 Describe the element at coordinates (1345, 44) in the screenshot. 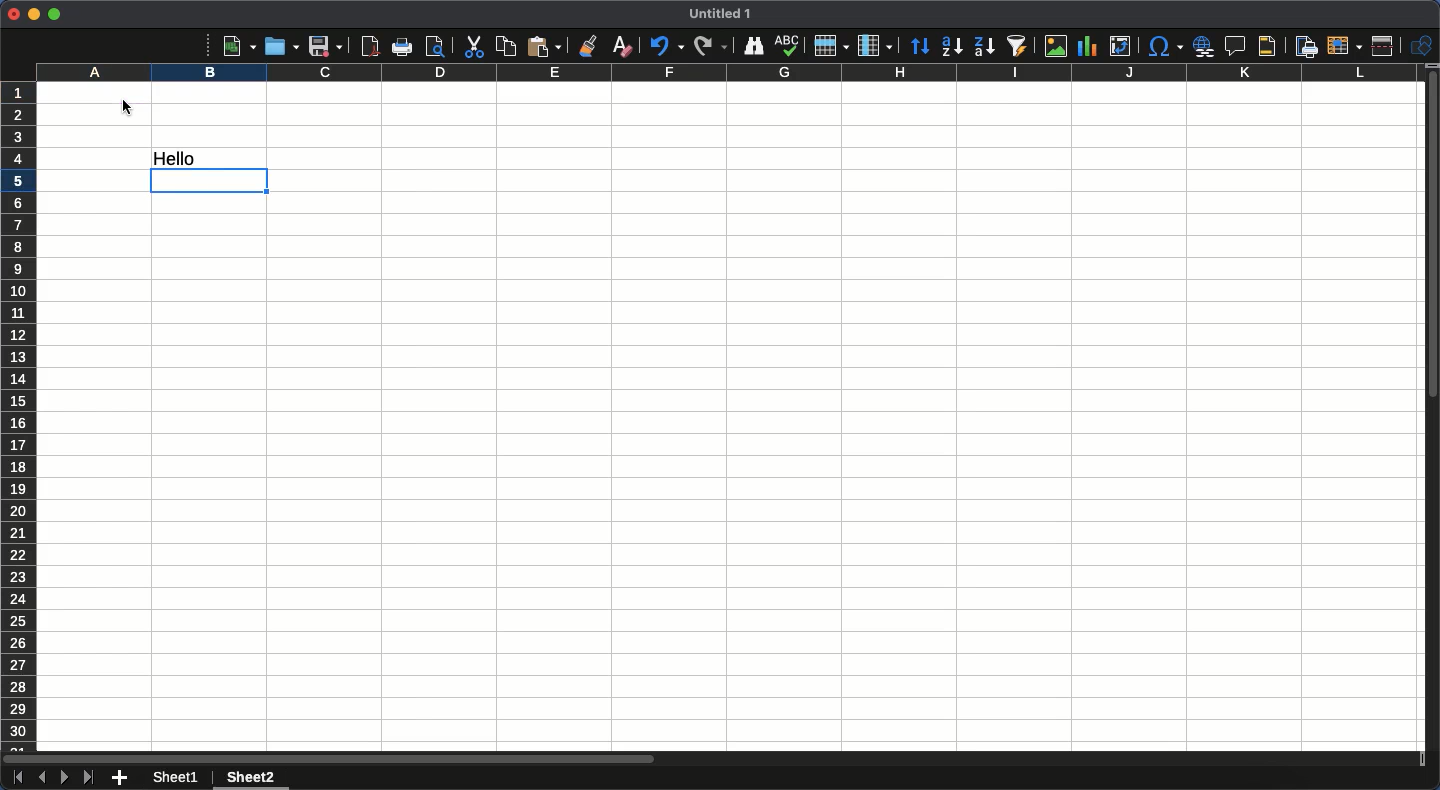

I see `Freeze rows and columns` at that location.